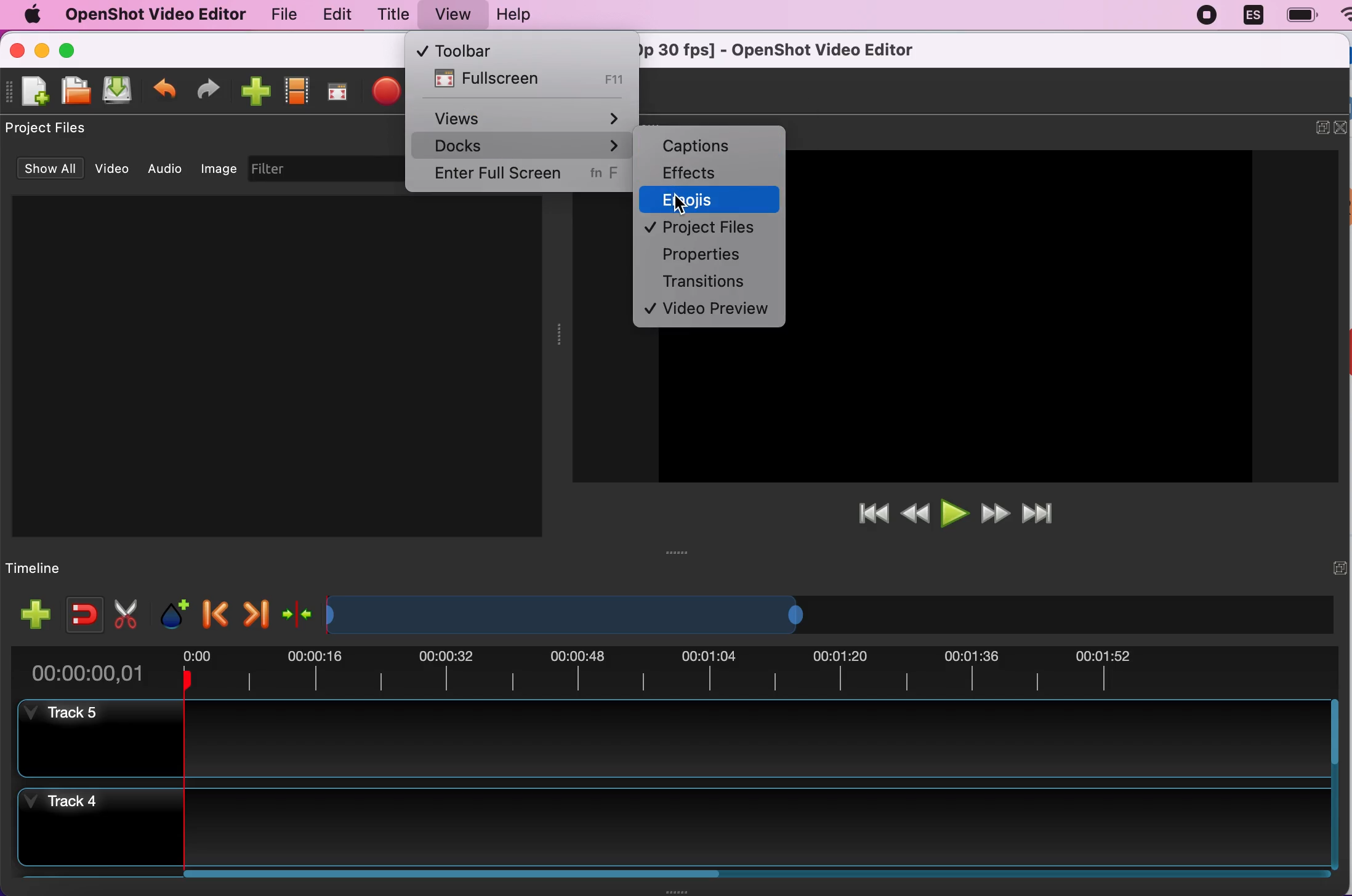 This screenshot has width=1352, height=896. Describe the element at coordinates (707, 310) in the screenshot. I see `video preview` at that location.